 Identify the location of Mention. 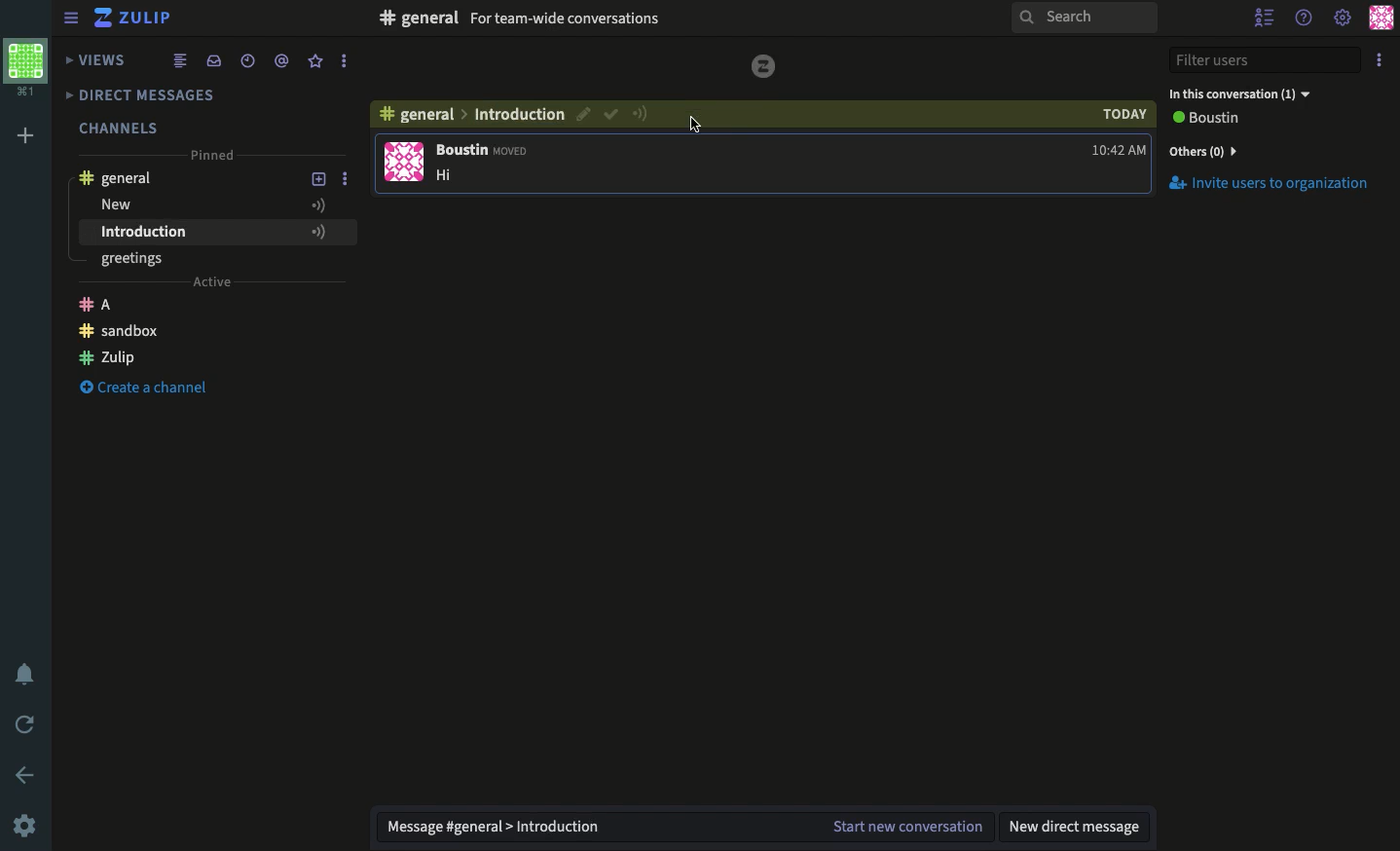
(285, 60).